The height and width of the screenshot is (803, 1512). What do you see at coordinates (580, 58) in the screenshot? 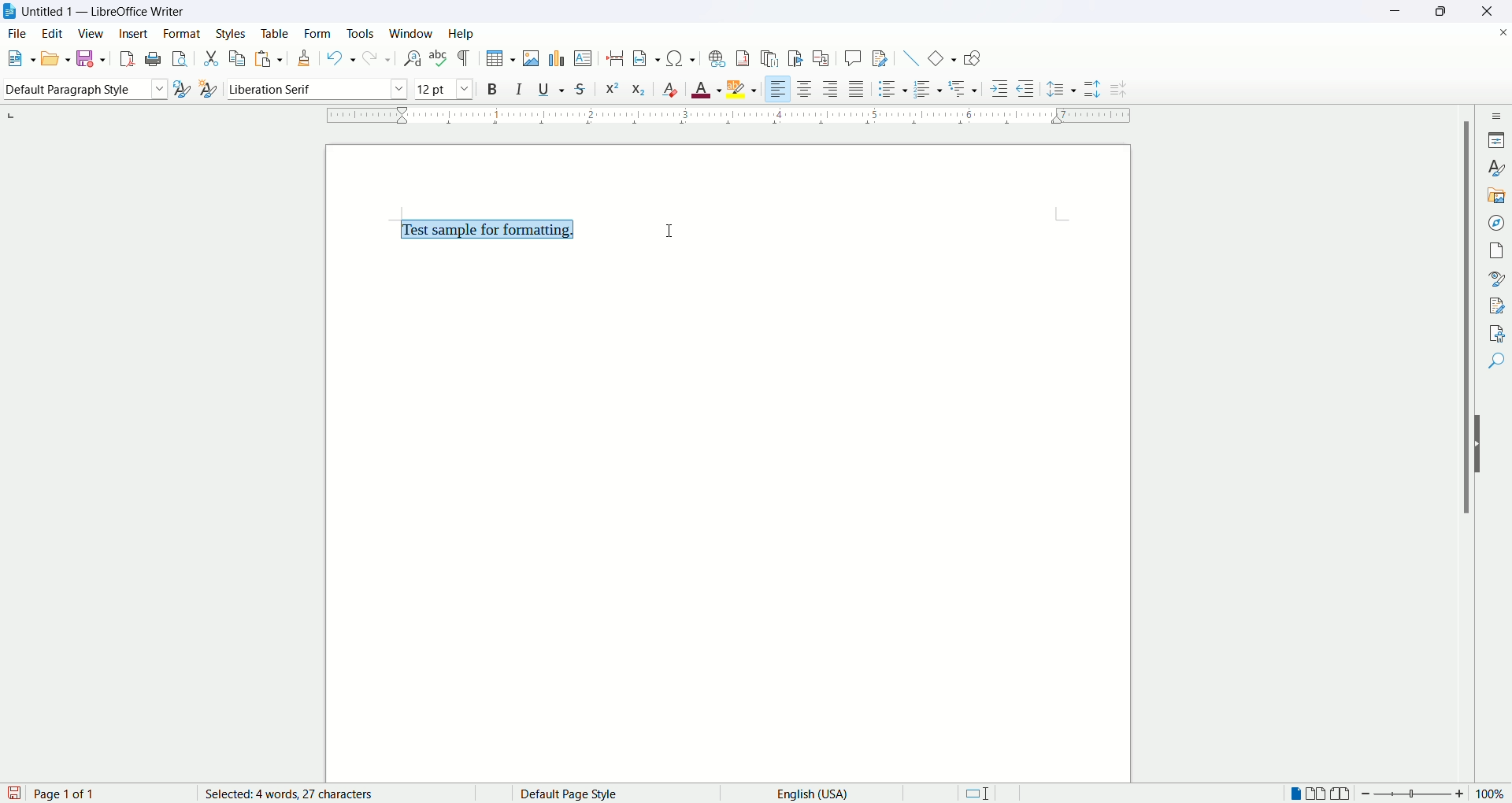
I see `insert text` at bounding box center [580, 58].